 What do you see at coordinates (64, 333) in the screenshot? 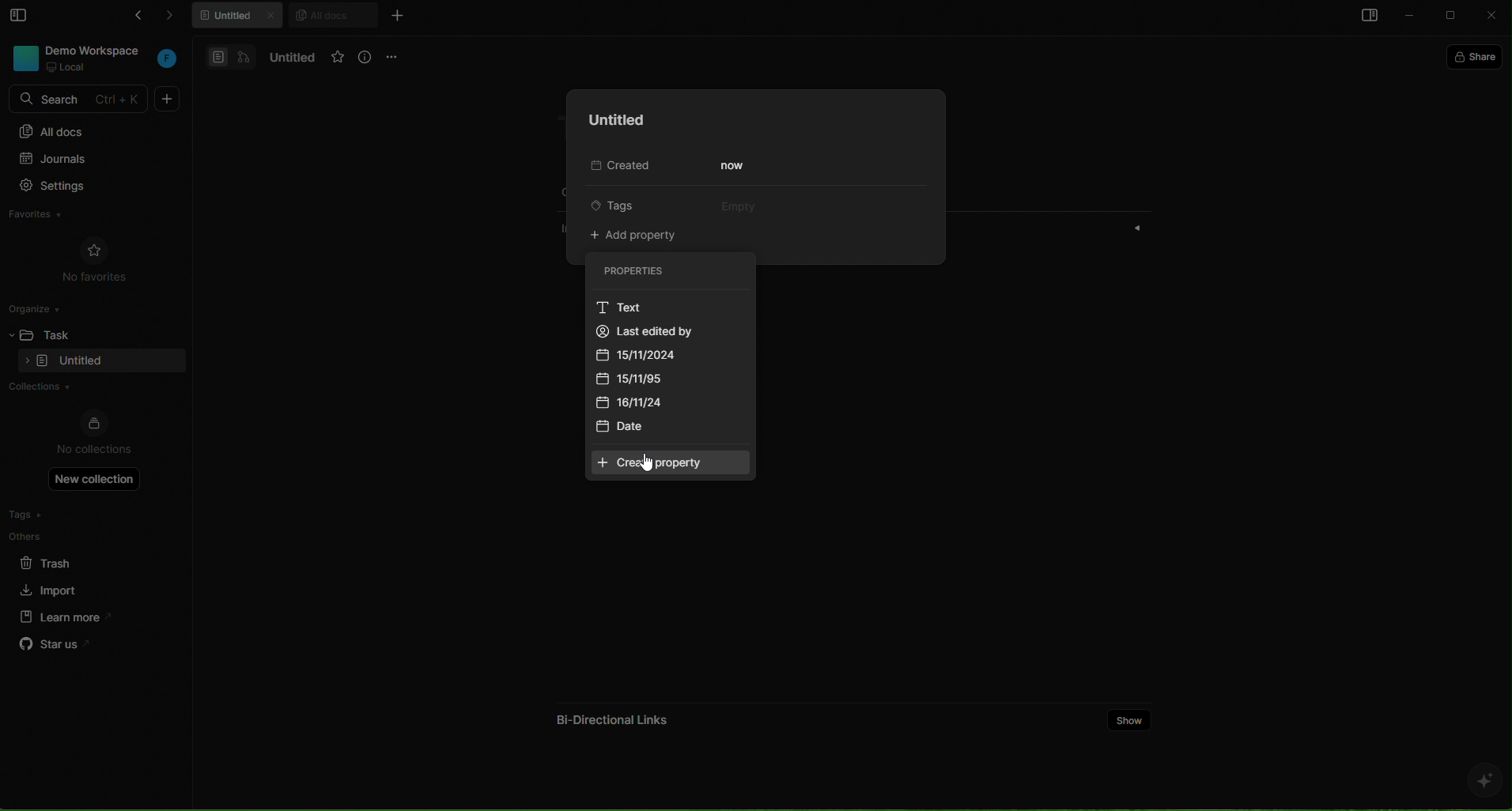
I see `task` at bounding box center [64, 333].